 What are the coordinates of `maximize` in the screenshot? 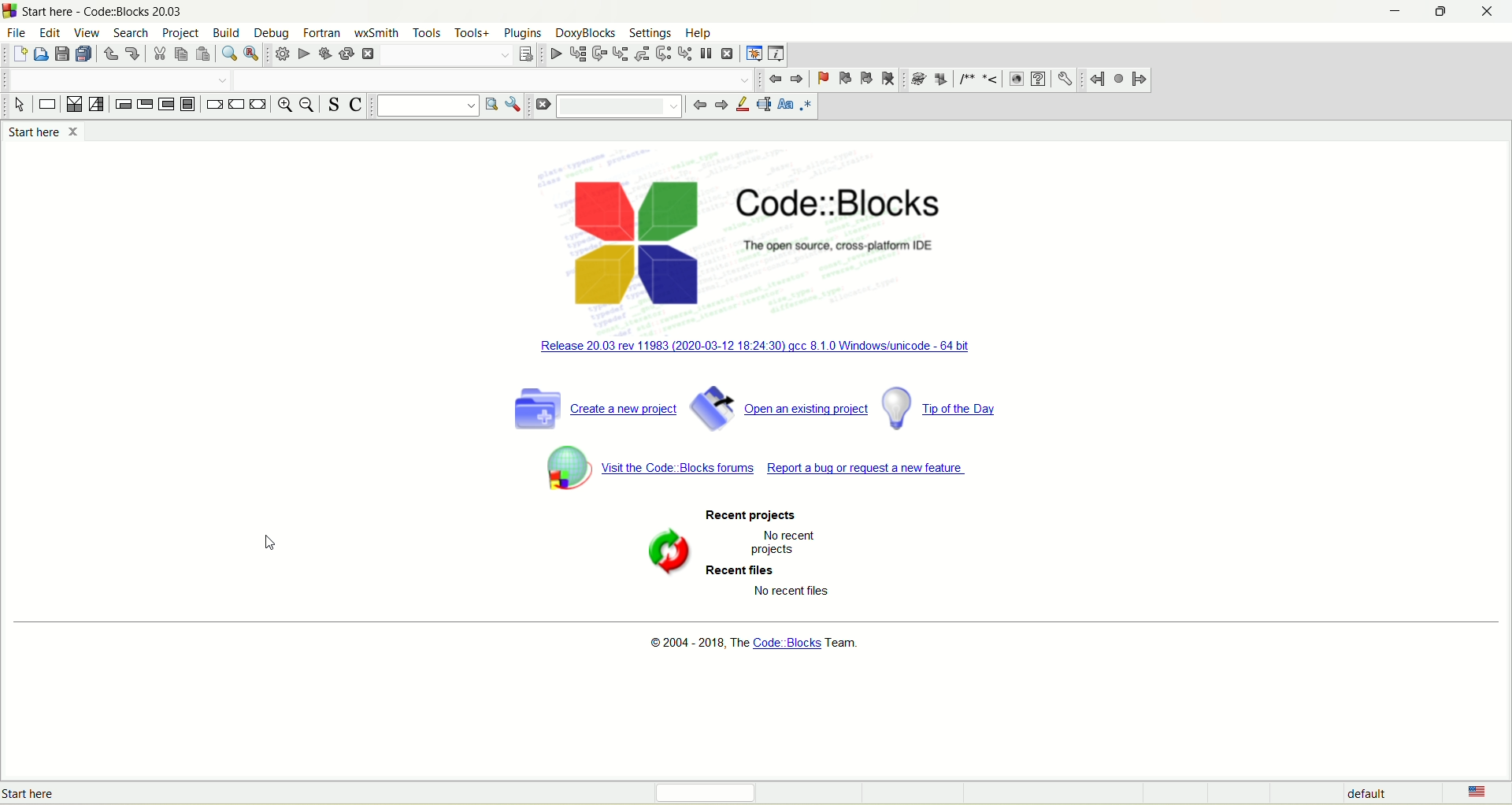 It's located at (1440, 13).